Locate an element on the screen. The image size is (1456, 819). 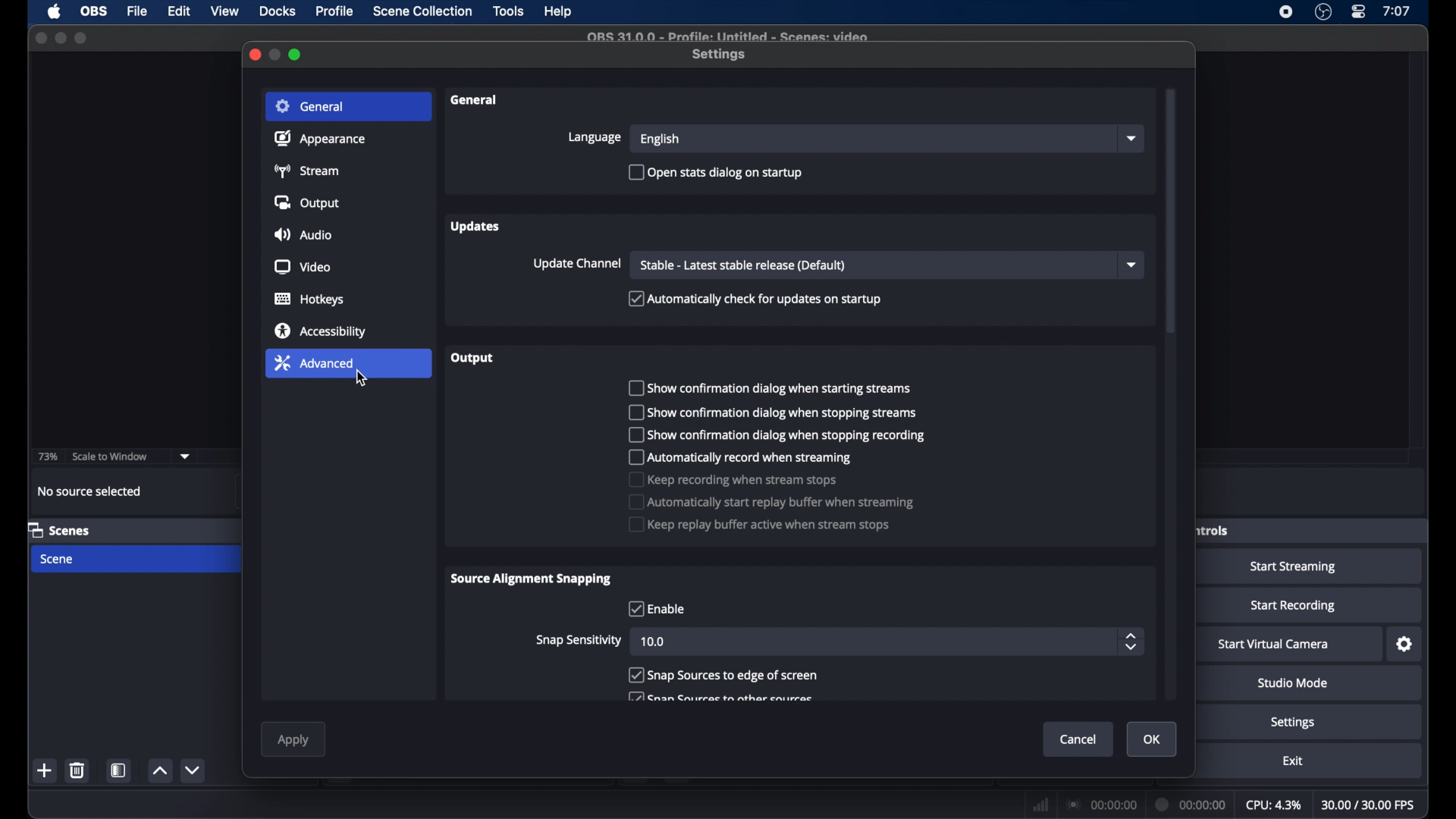
apple icon is located at coordinates (54, 11).